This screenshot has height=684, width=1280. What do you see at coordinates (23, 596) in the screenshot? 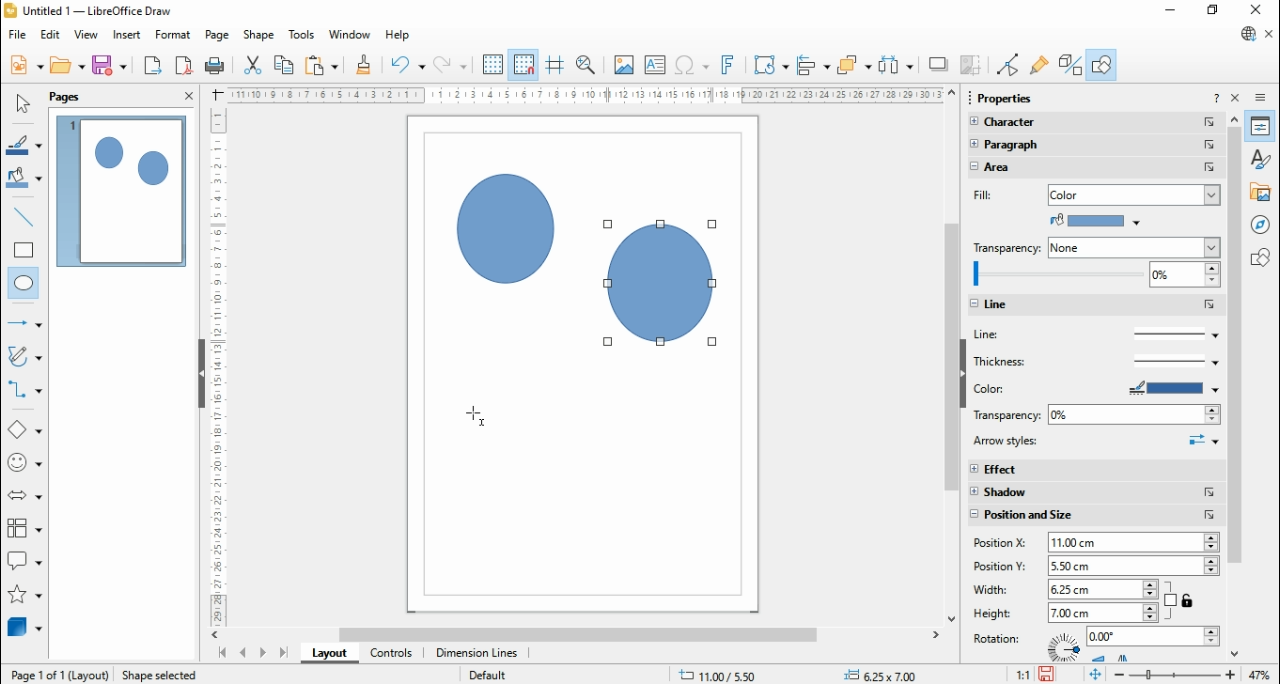
I see `stars and banners ` at bounding box center [23, 596].